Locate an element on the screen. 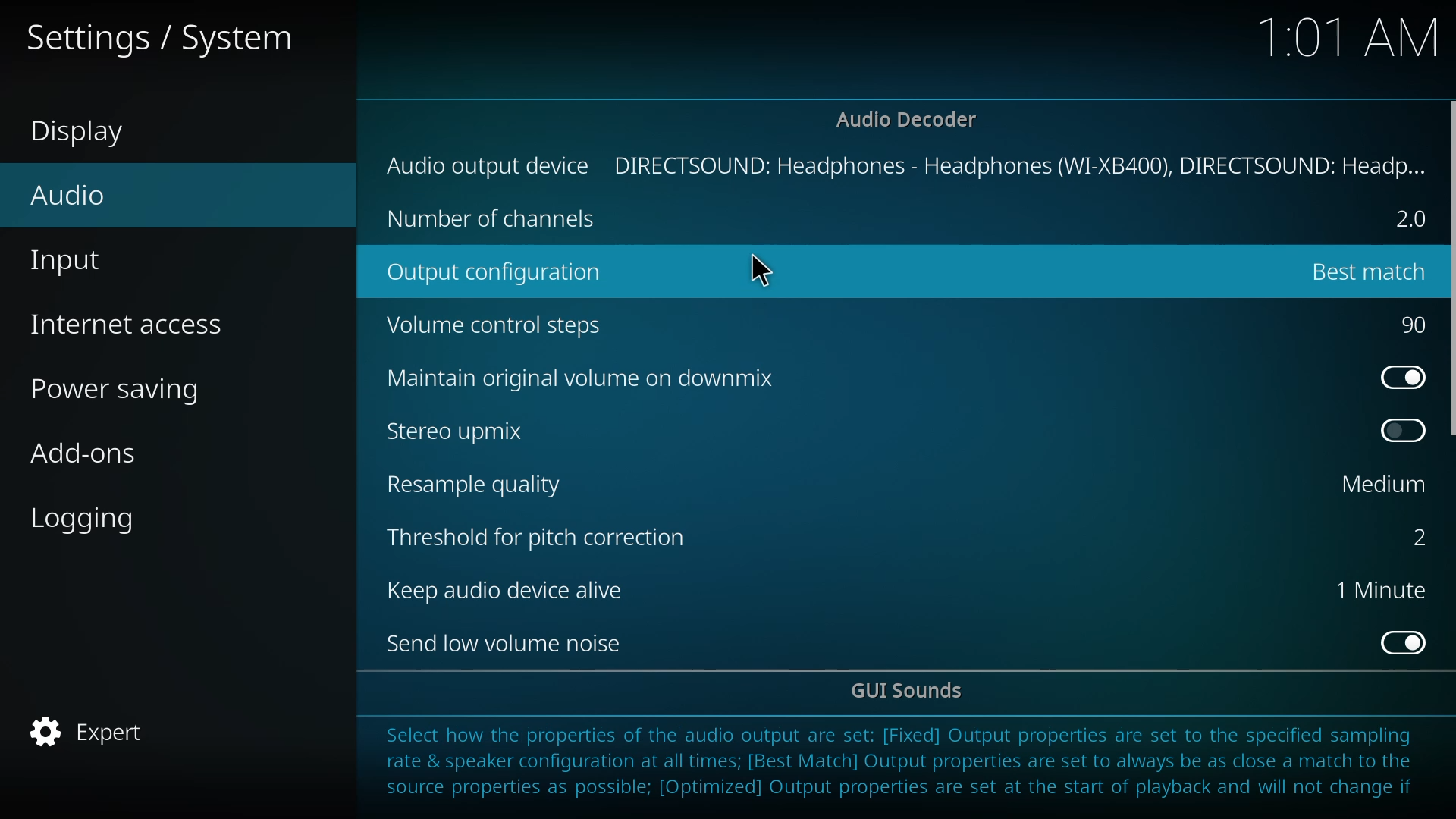 Image resolution: width=1456 pixels, height=819 pixels. input is located at coordinates (76, 257).